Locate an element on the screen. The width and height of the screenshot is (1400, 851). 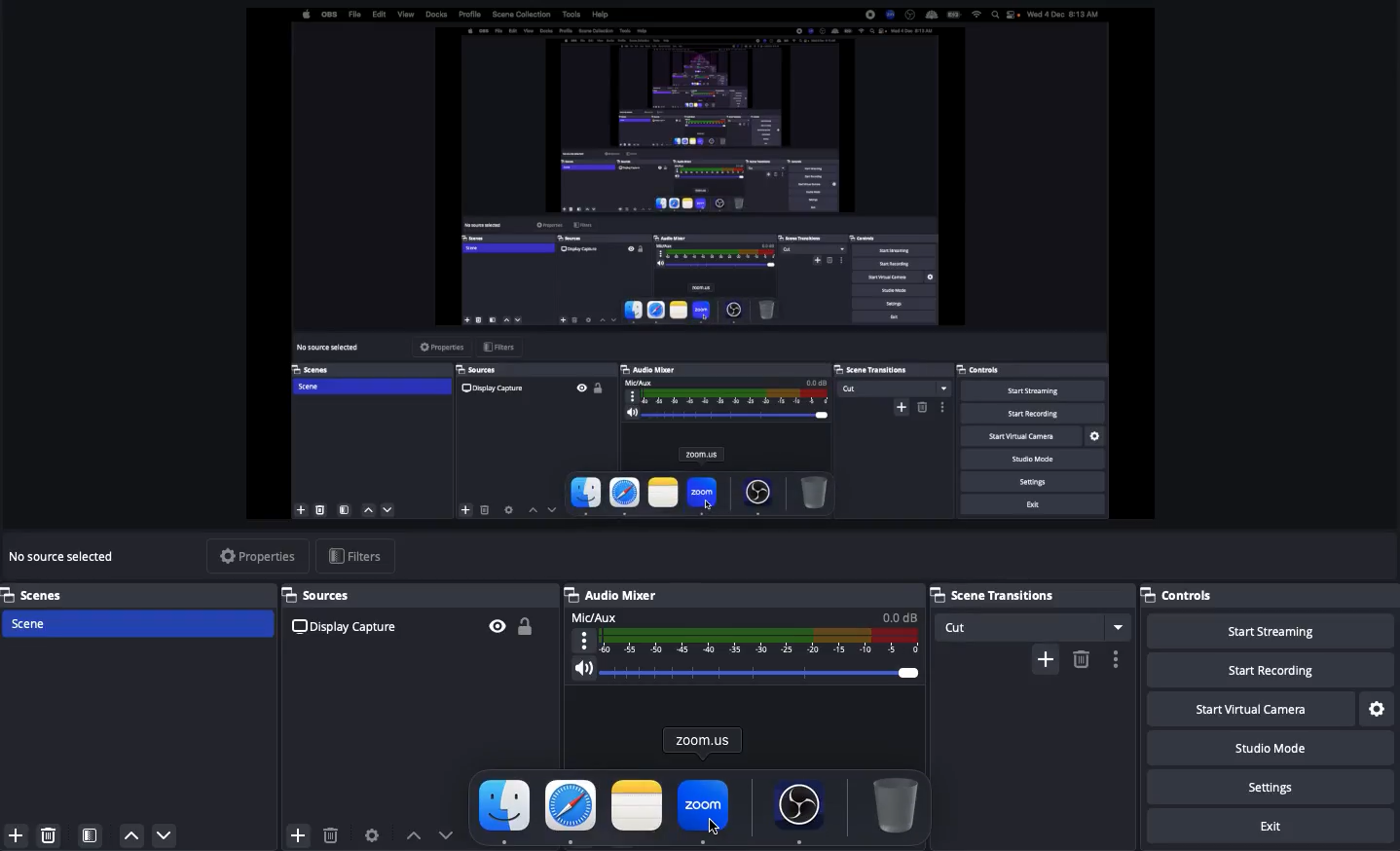
Mic aux is located at coordinates (747, 631).